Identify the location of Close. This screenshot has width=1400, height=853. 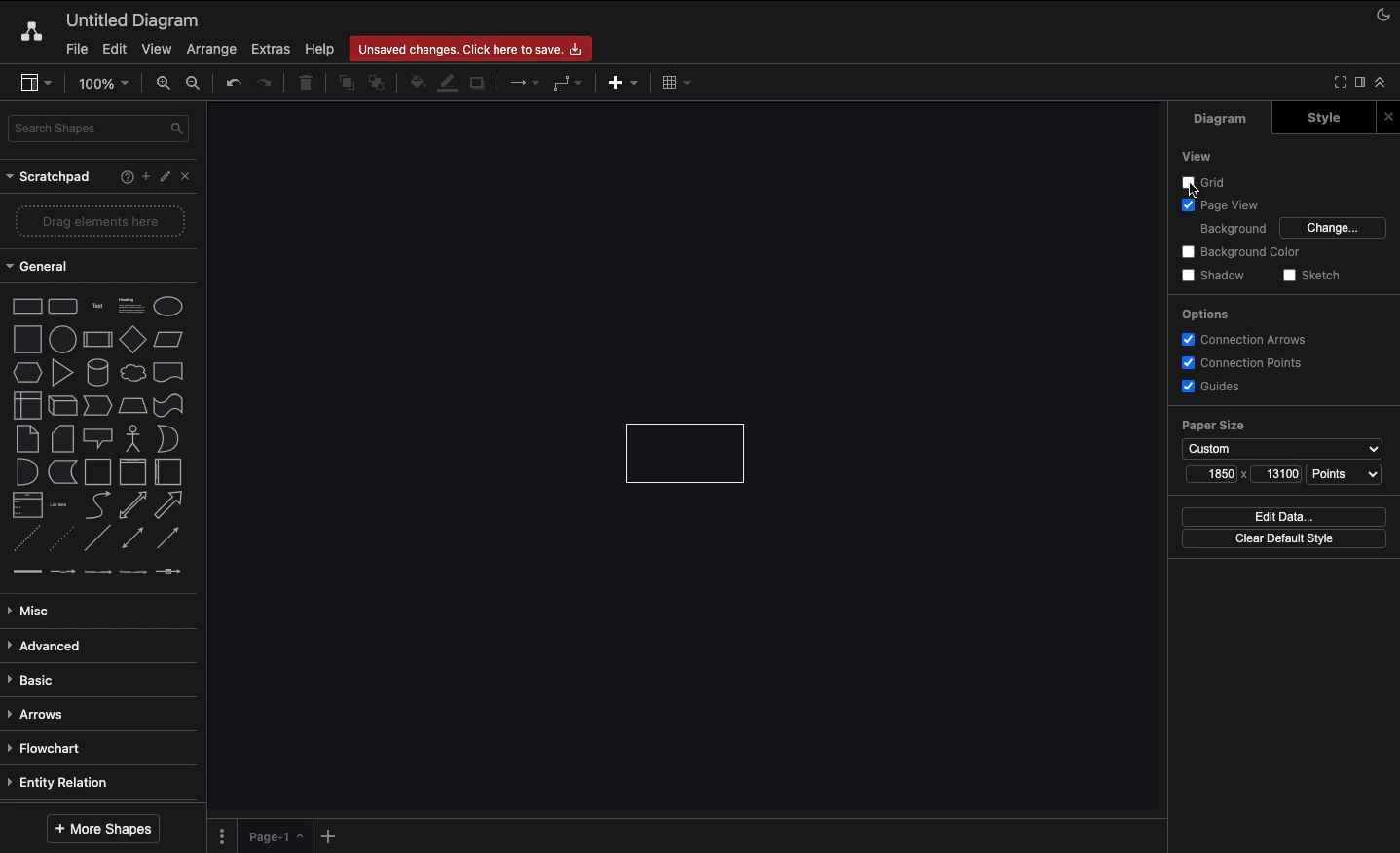
(184, 175).